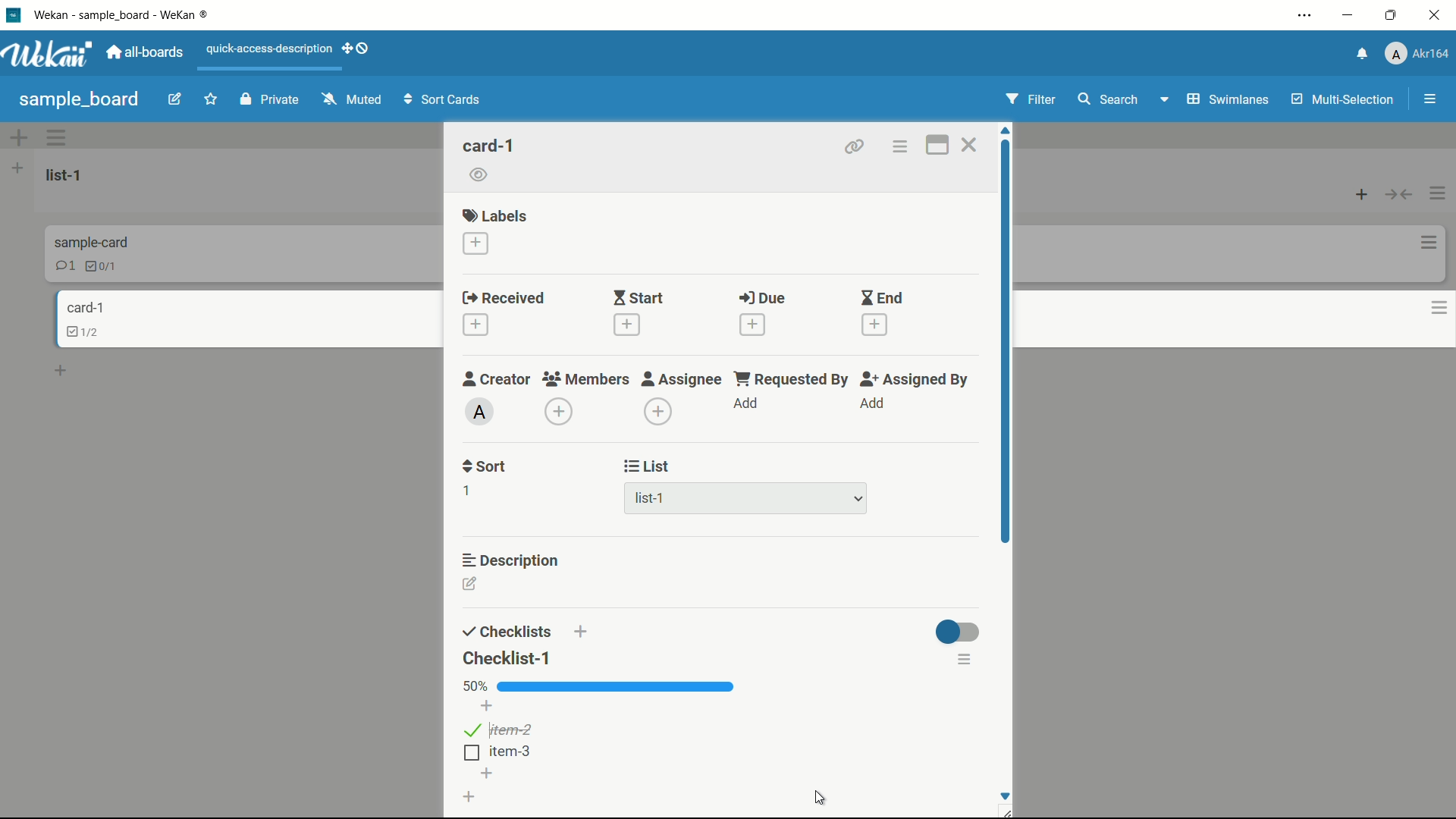 The width and height of the screenshot is (1456, 819). What do you see at coordinates (488, 705) in the screenshot?
I see `add item` at bounding box center [488, 705].